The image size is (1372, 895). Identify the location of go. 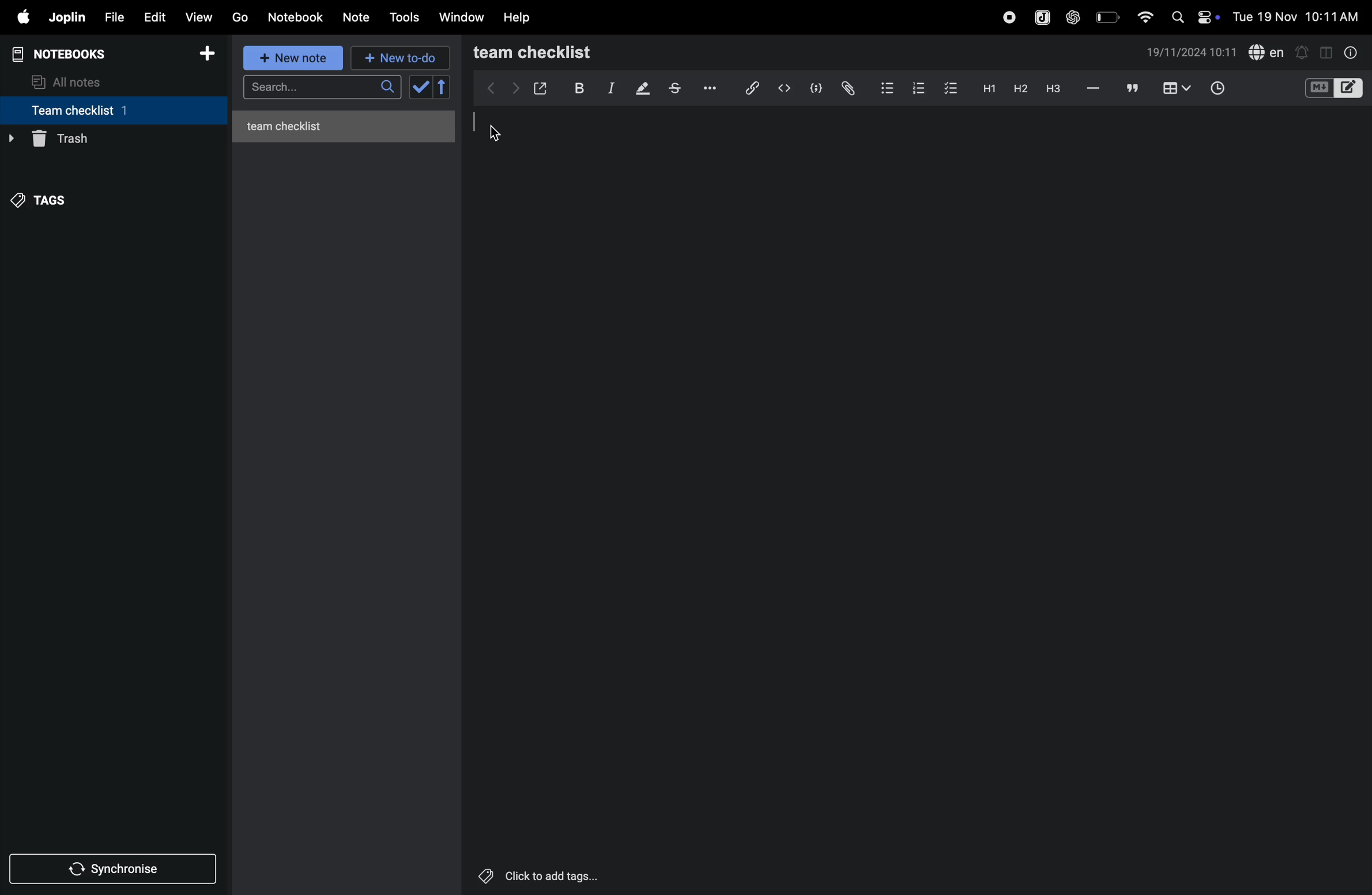
(240, 18).